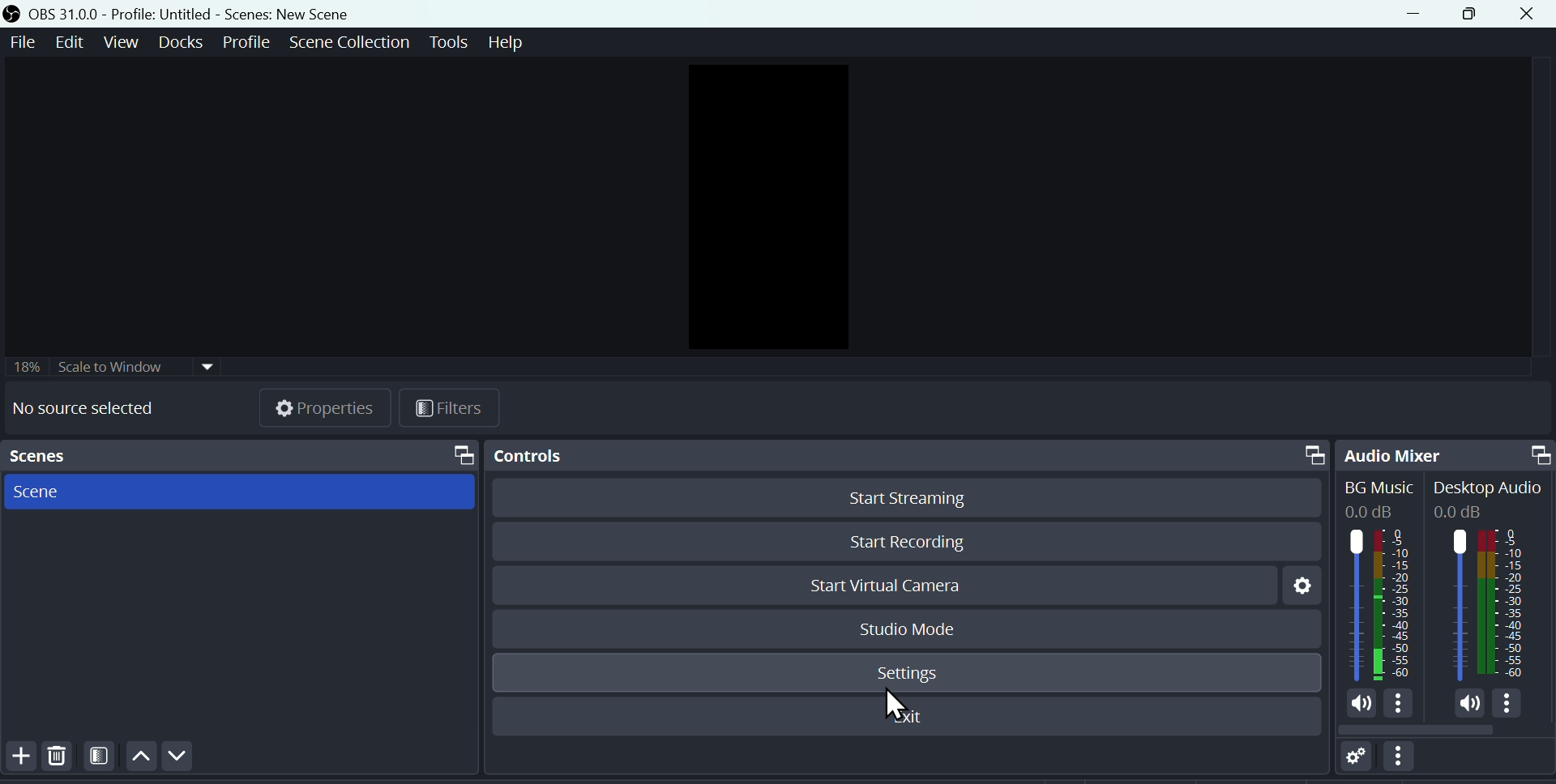 The height and width of the screenshot is (784, 1556). I want to click on Settings, so click(907, 674).